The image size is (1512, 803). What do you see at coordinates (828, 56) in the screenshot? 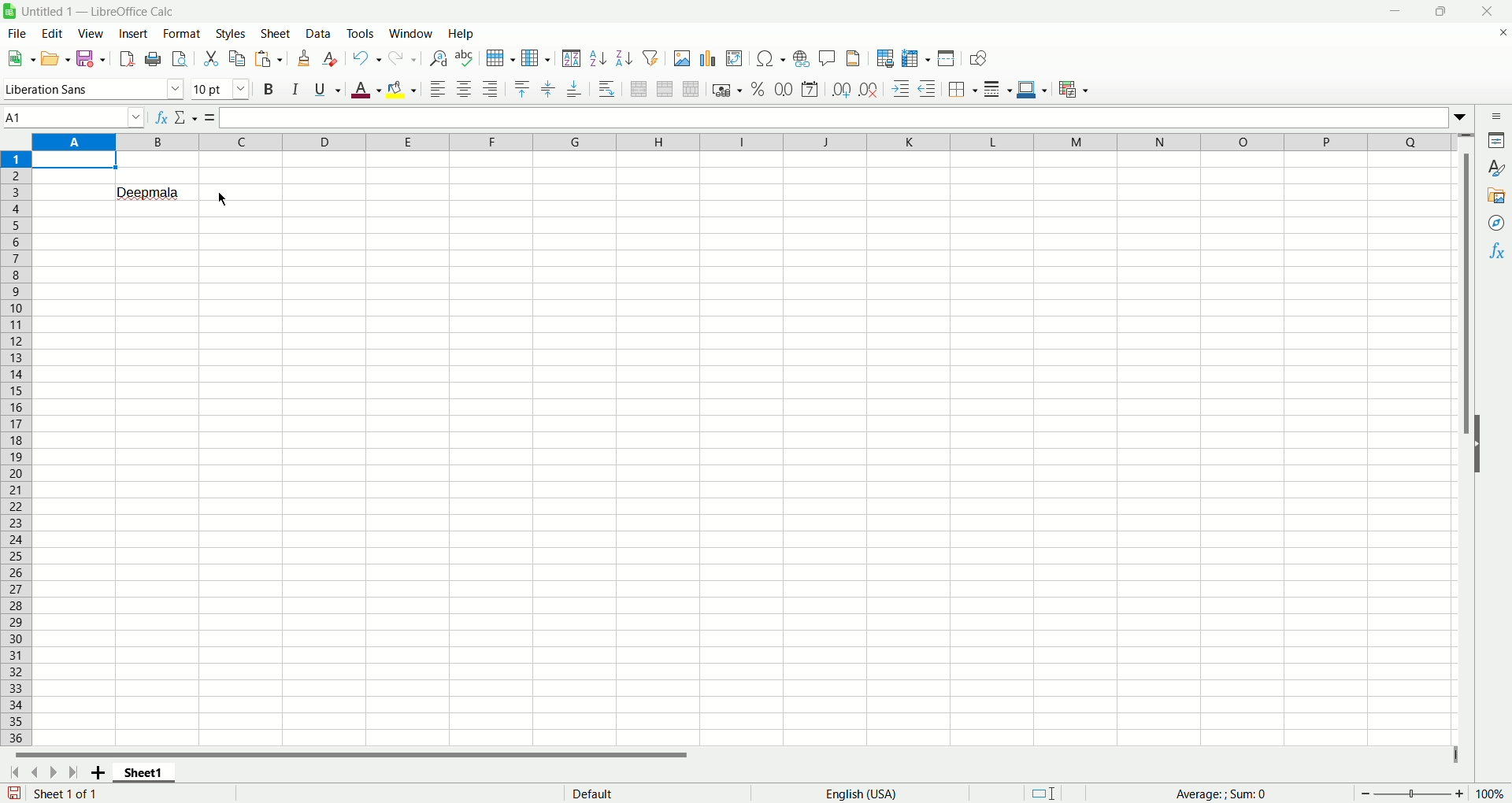
I see `Insert comment` at bounding box center [828, 56].